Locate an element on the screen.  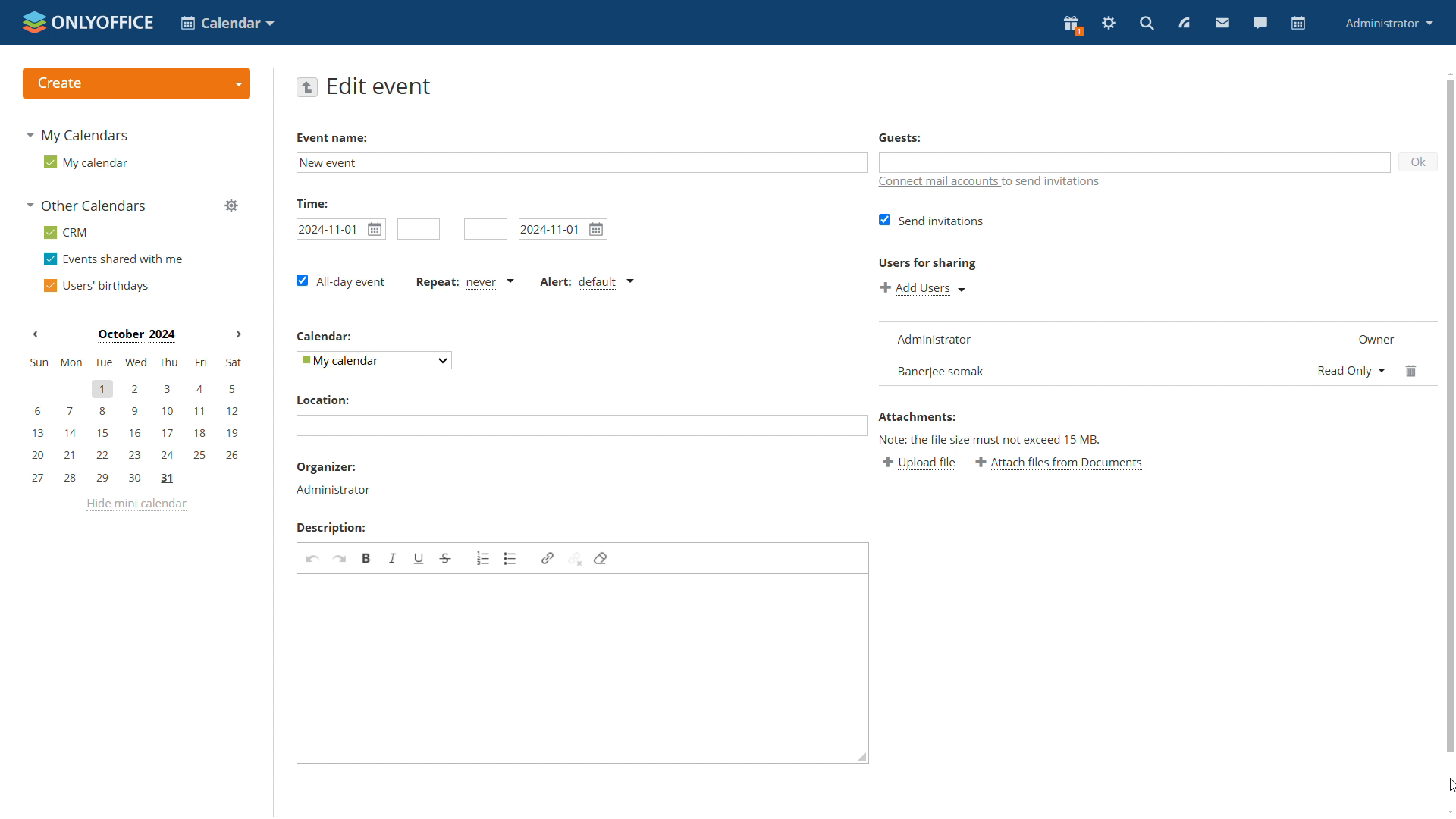
manage is located at coordinates (234, 207).